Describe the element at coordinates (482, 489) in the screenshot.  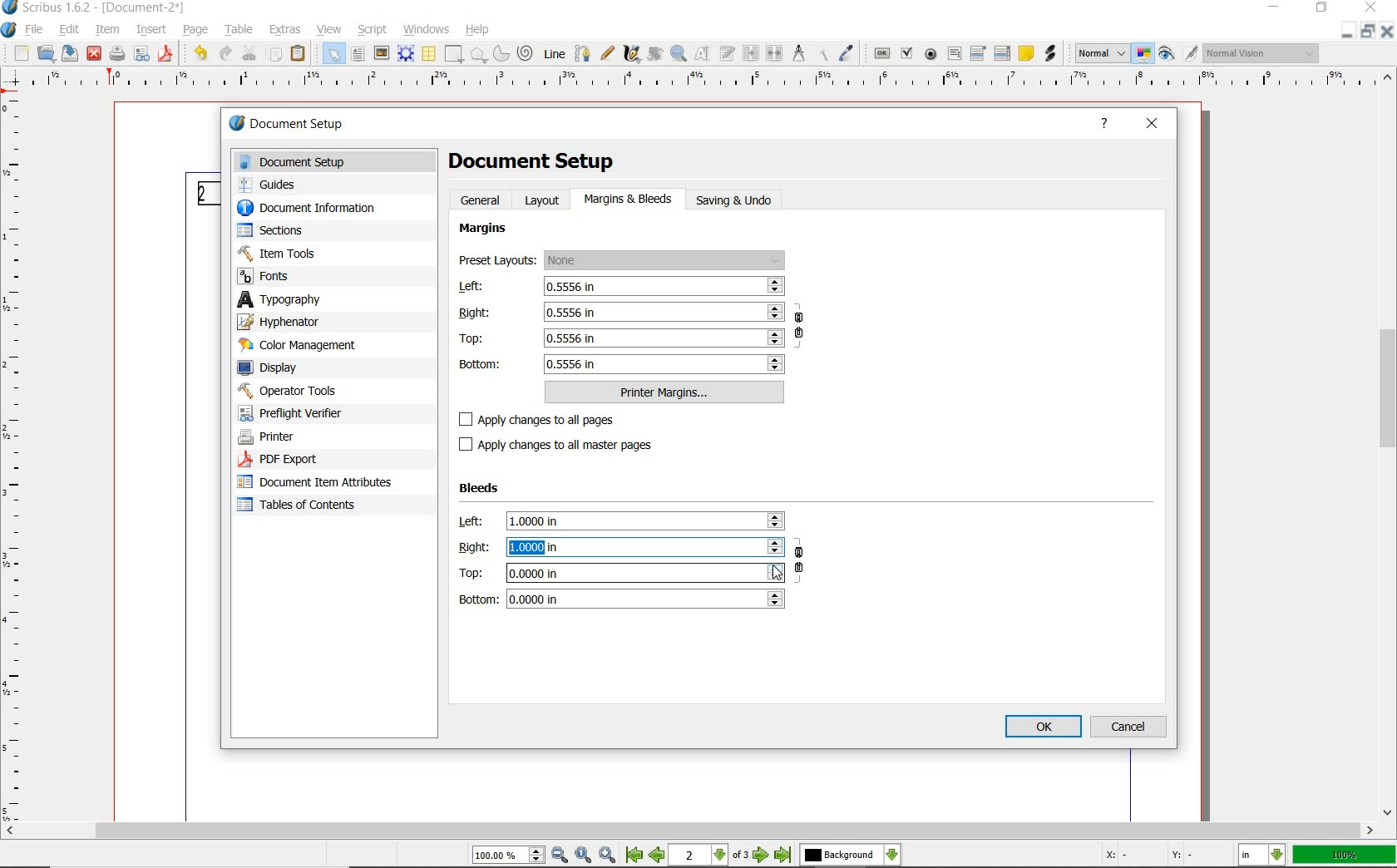
I see `Bleeds` at that location.